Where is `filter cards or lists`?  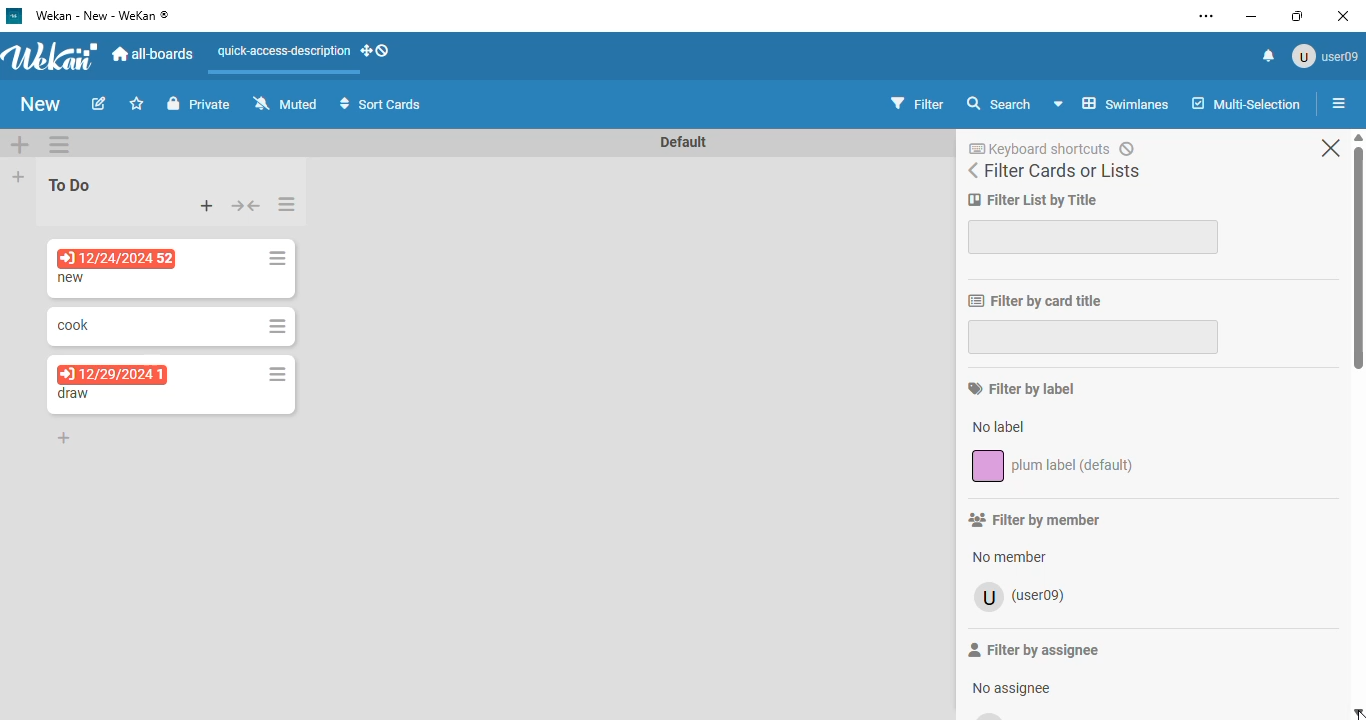
filter cards or lists is located at coordinates (1054, 171).